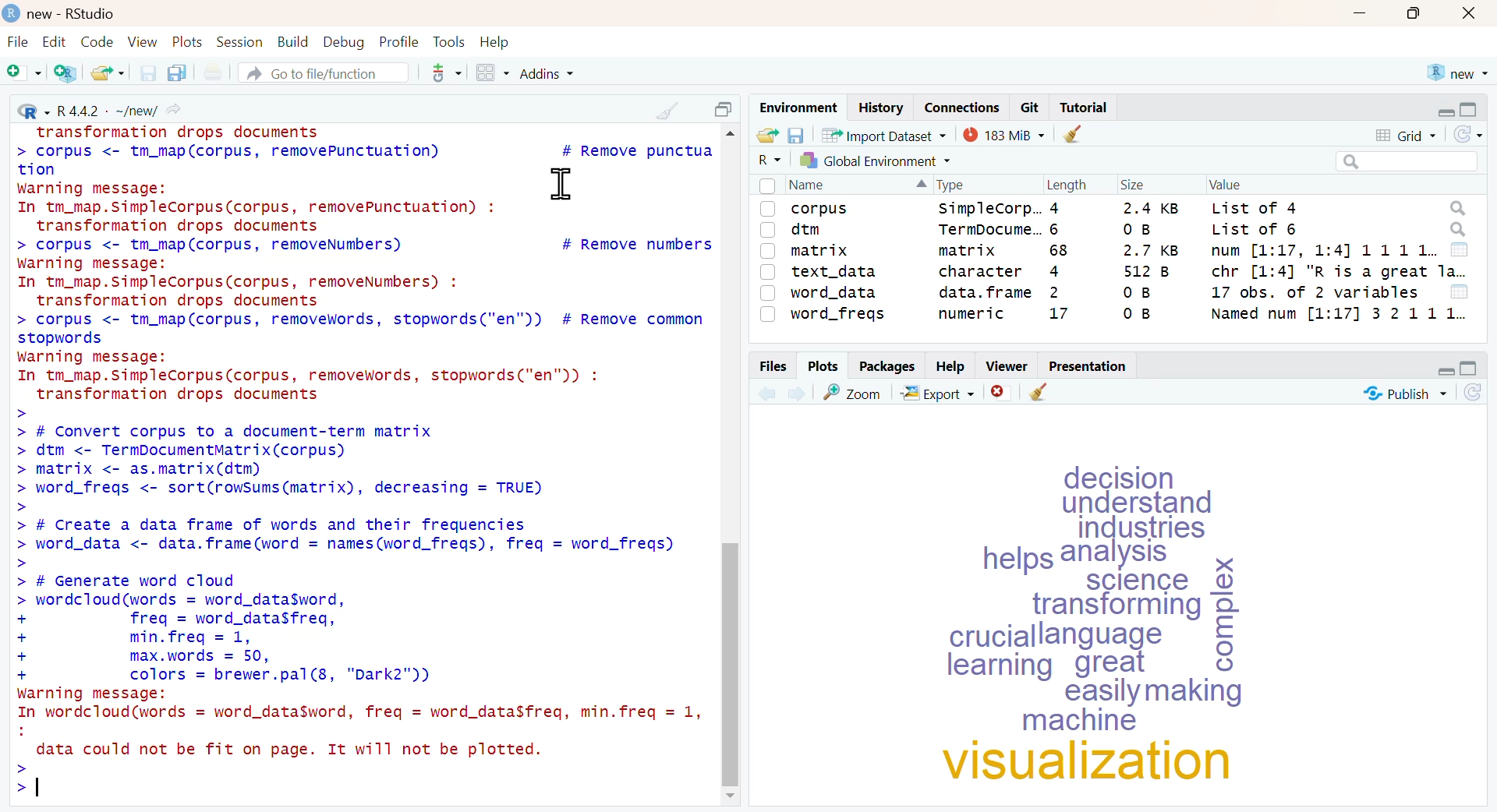 The image size is (1497, 812). Describe the element at coordinates (989, 637) in the screenshot. I see `crucial` at that location.